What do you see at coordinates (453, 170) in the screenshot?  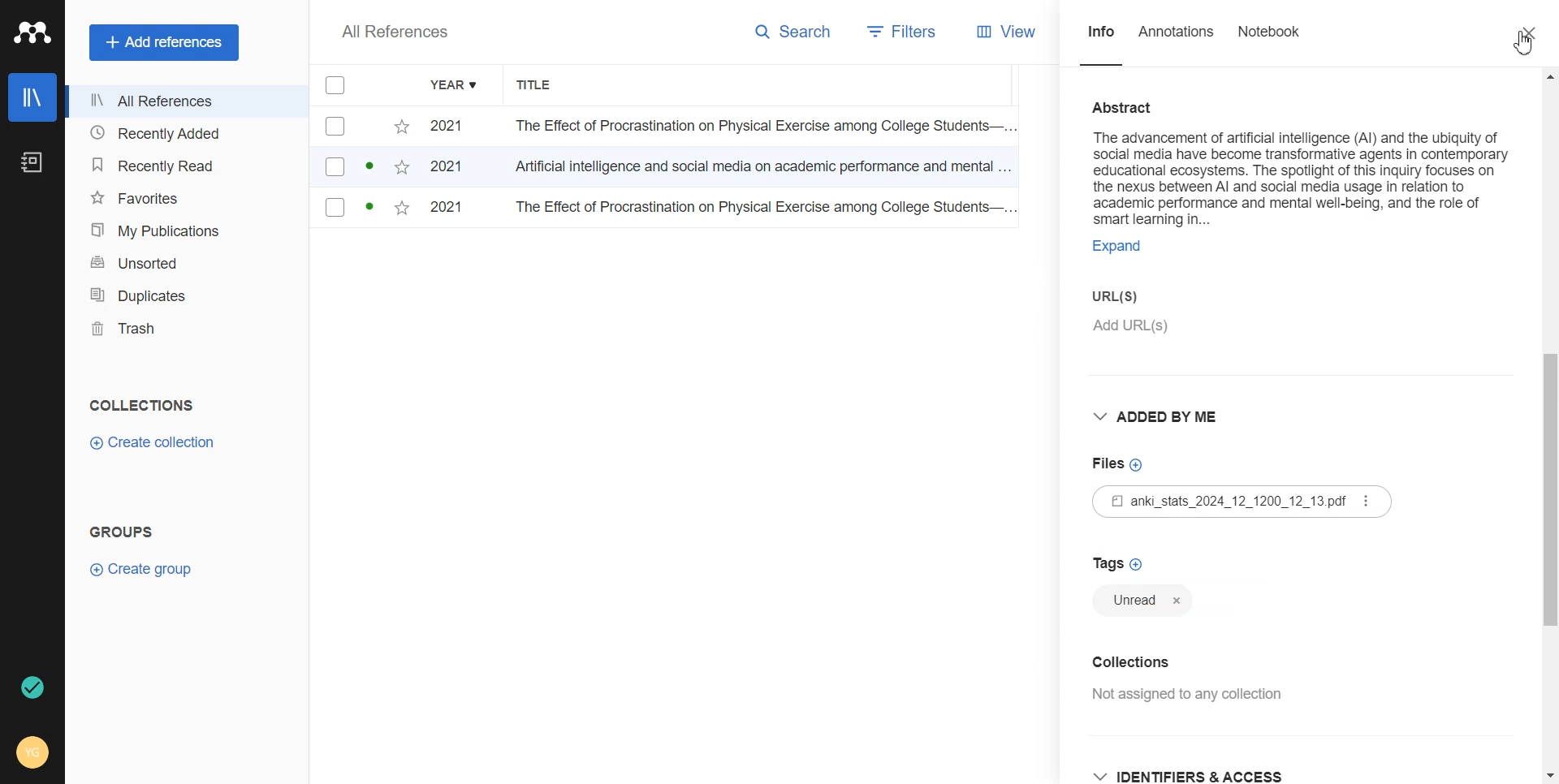 I see `2021` at bounding box center [453, 170].